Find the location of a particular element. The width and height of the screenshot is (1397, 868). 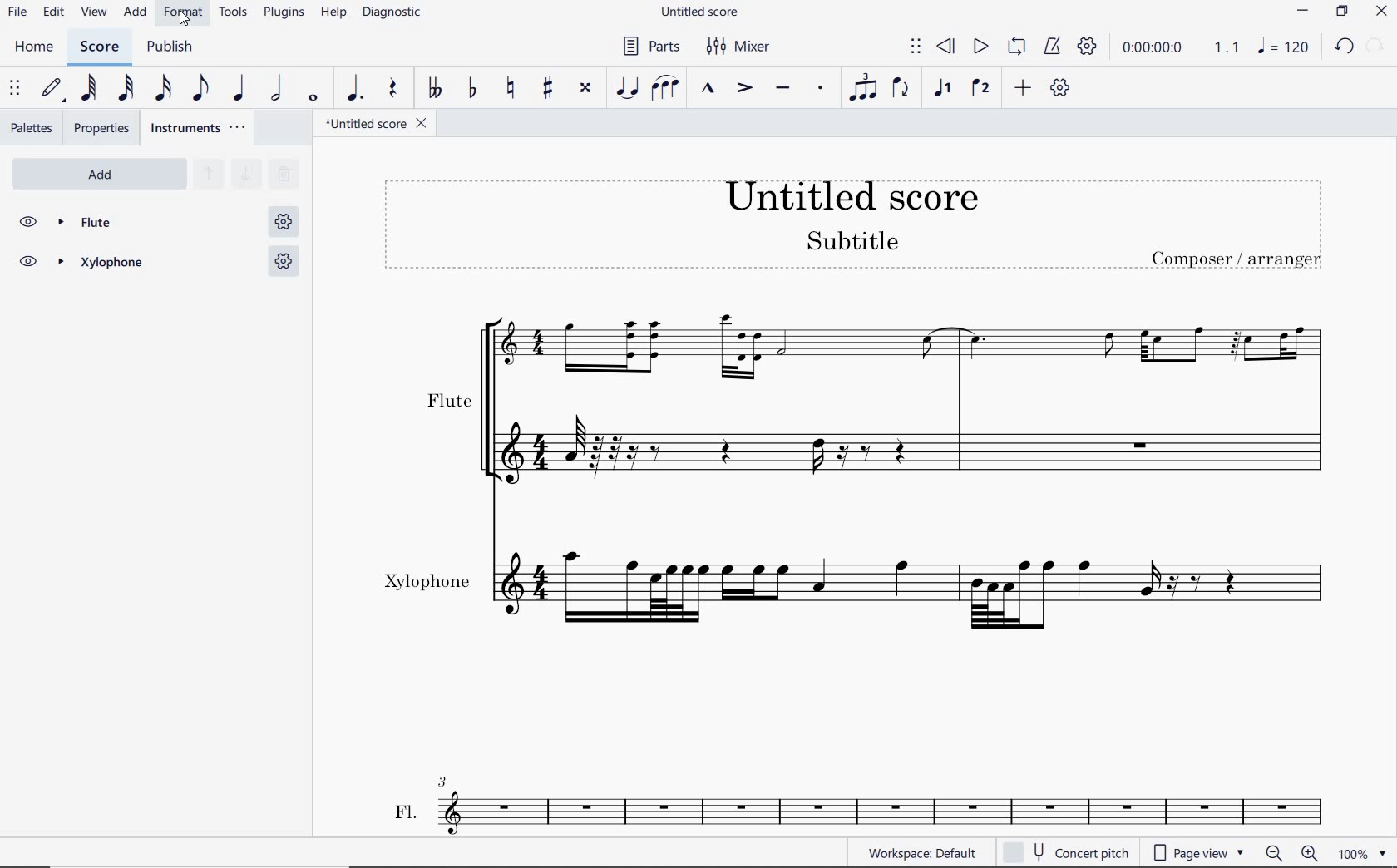

LOOP PLAYBACK is located at coordinates (1014, 47).